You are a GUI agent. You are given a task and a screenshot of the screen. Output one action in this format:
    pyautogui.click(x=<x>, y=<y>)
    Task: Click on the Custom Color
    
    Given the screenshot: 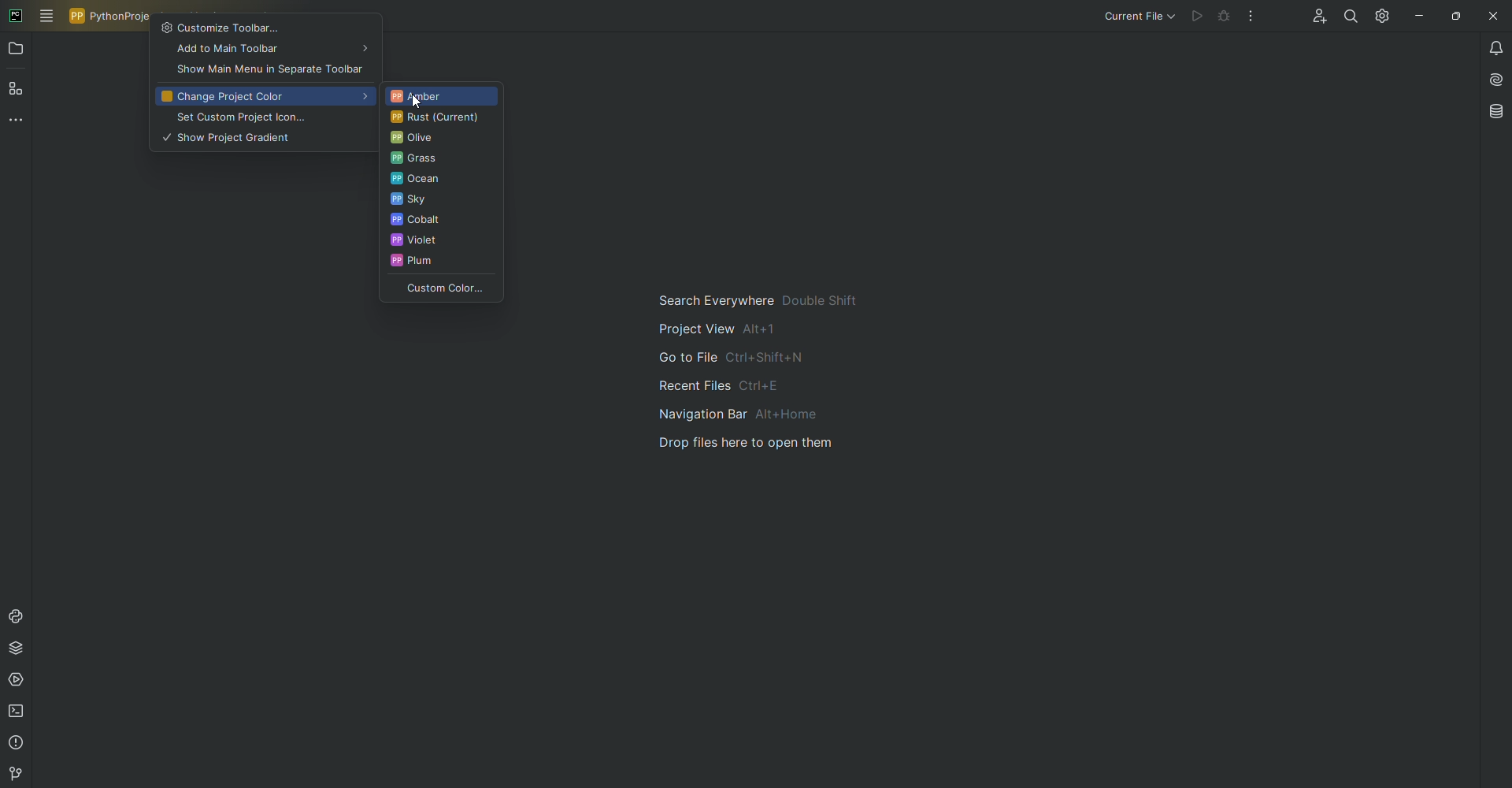 What is the action you would take?
    pyautogui.click(x=439, y=290)
    